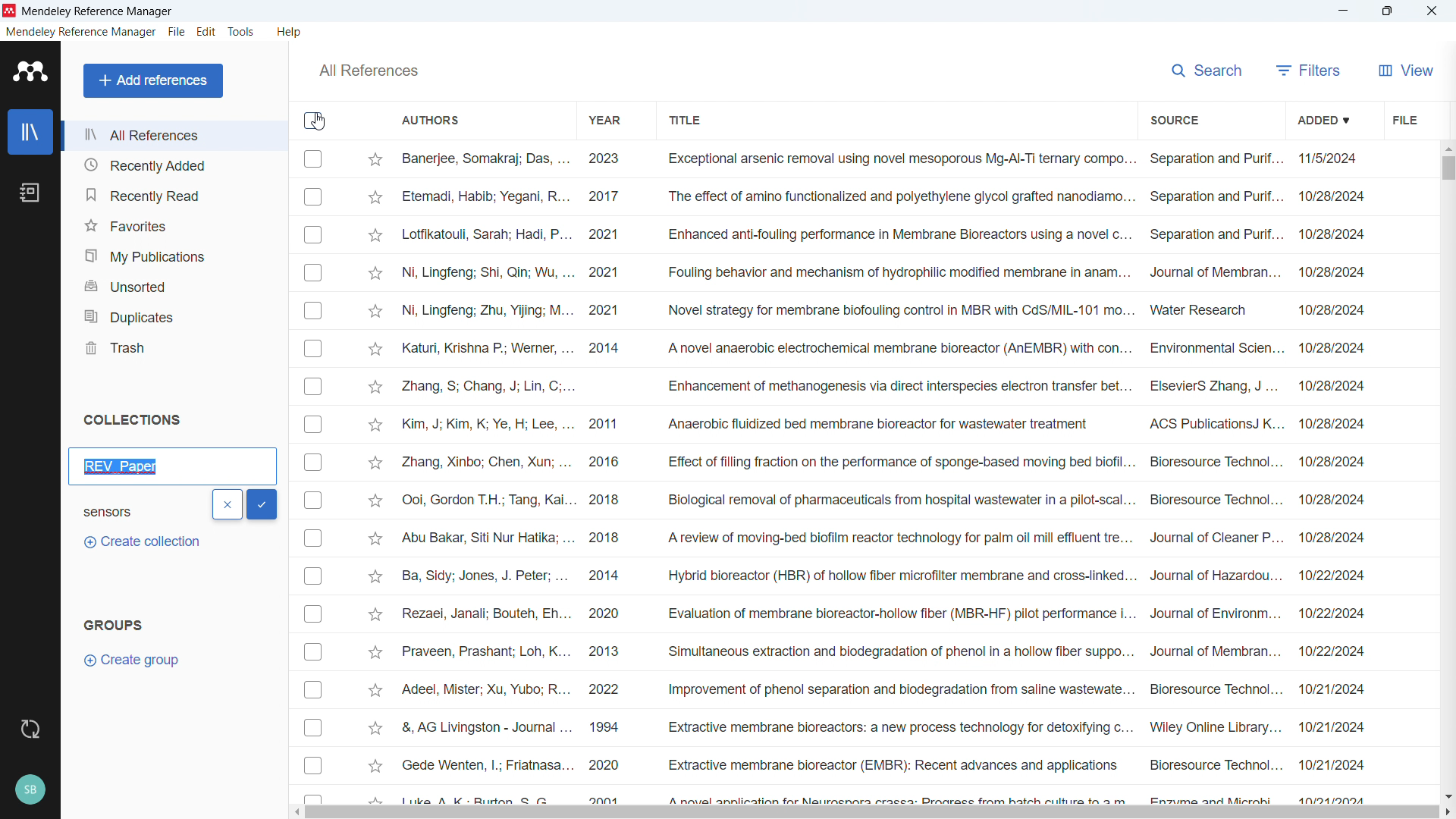 The image size is (1456, 819). I want to click on Star mark respective publication, so click(375, 766).